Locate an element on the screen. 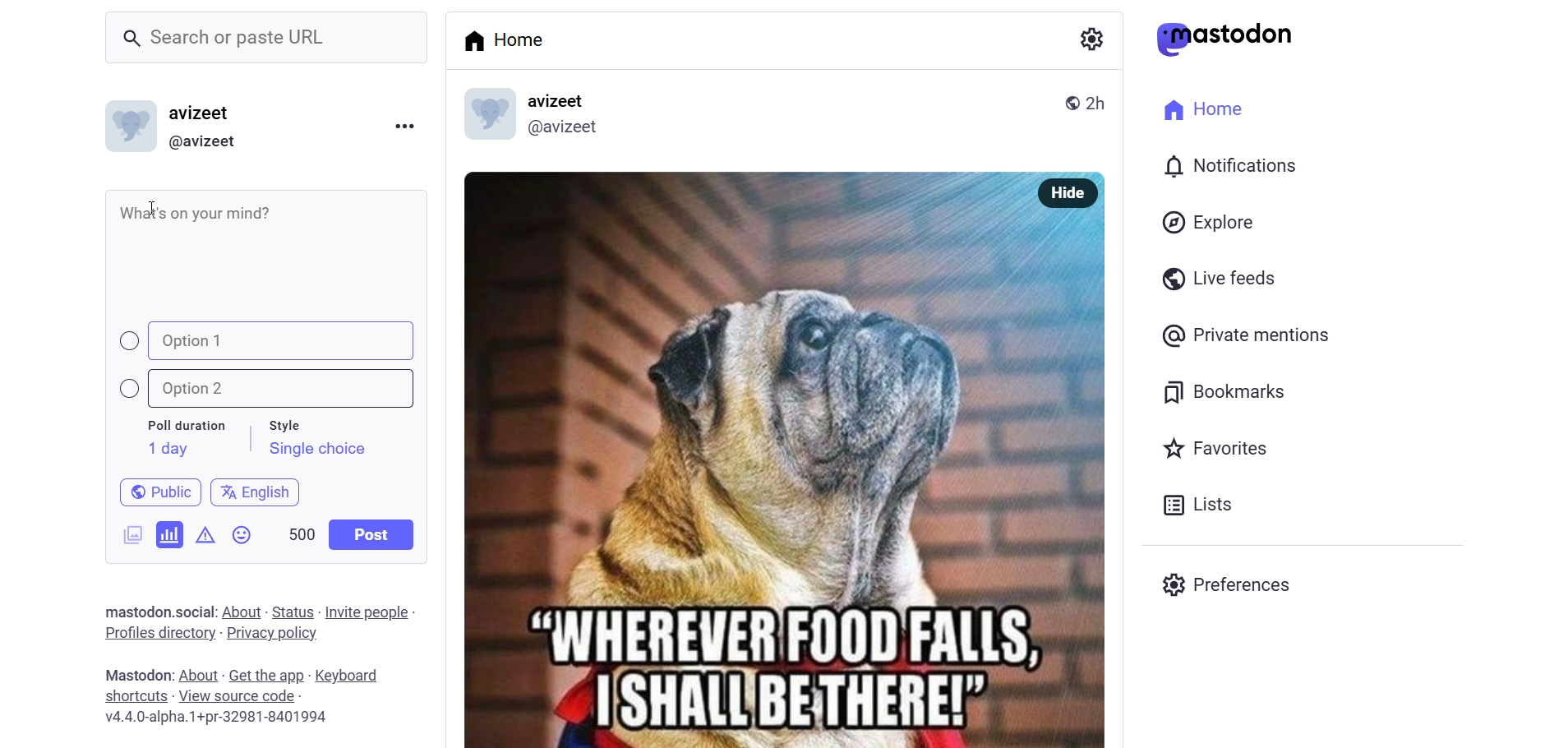  english is located at coordinates (256, 489).